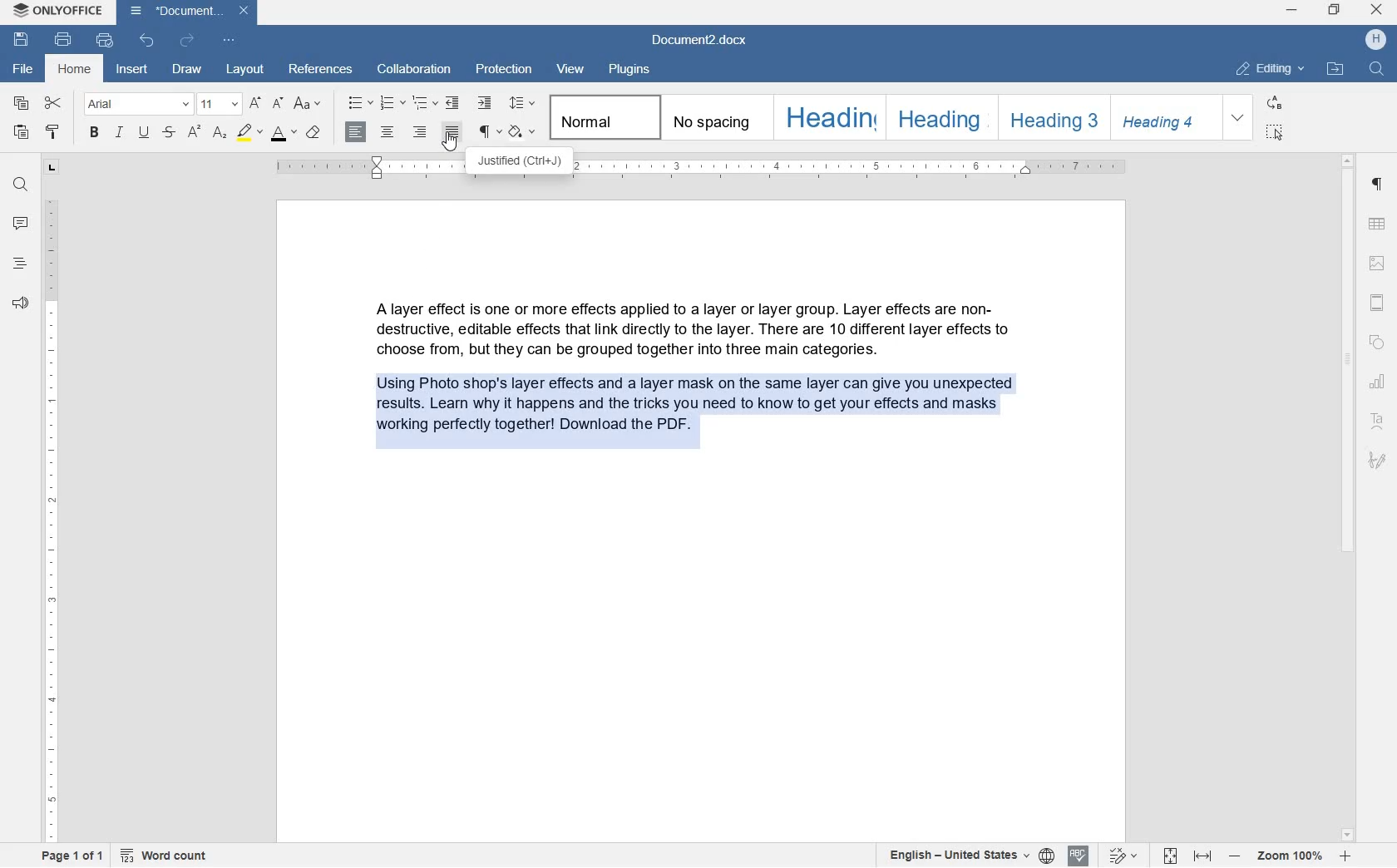  What do you see at coordinates (524, 131) in the screenshot?
I see `SHADING` at bounding box center [524, 131].